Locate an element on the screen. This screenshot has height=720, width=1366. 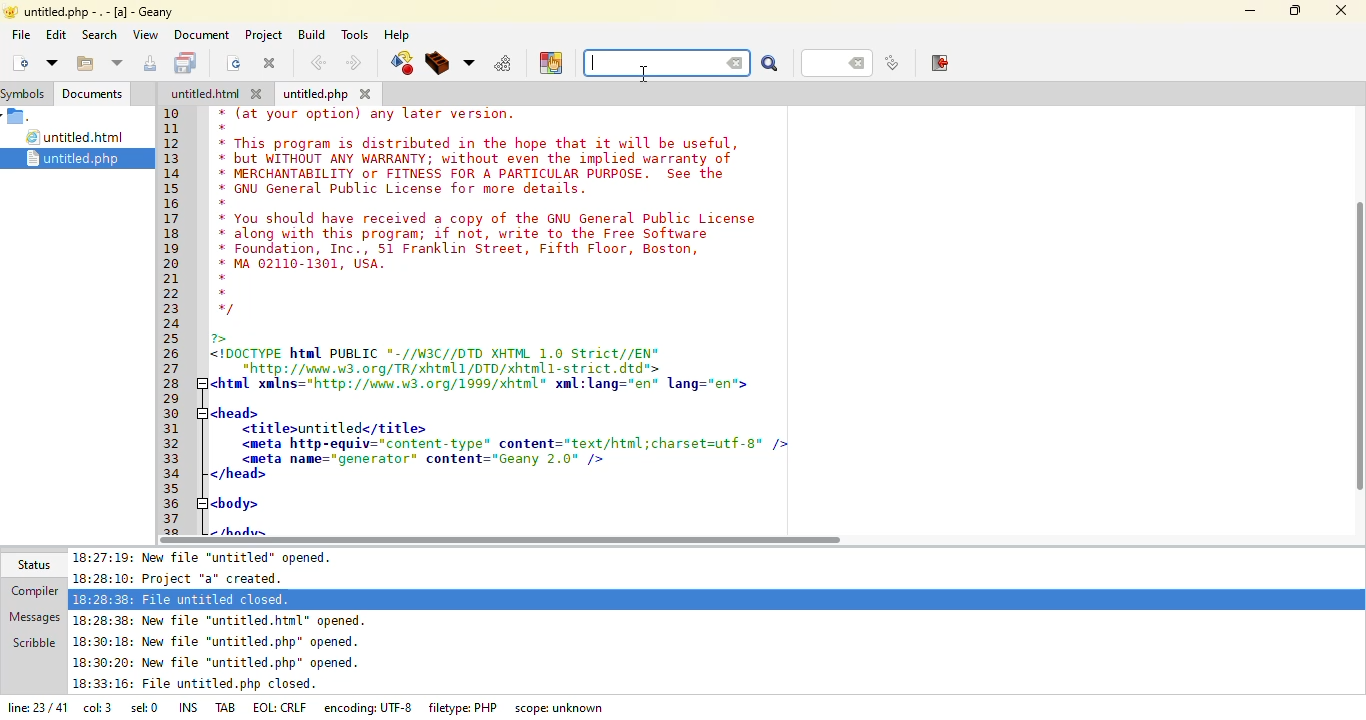
scope: unknown is located at coordinates (561, 708).